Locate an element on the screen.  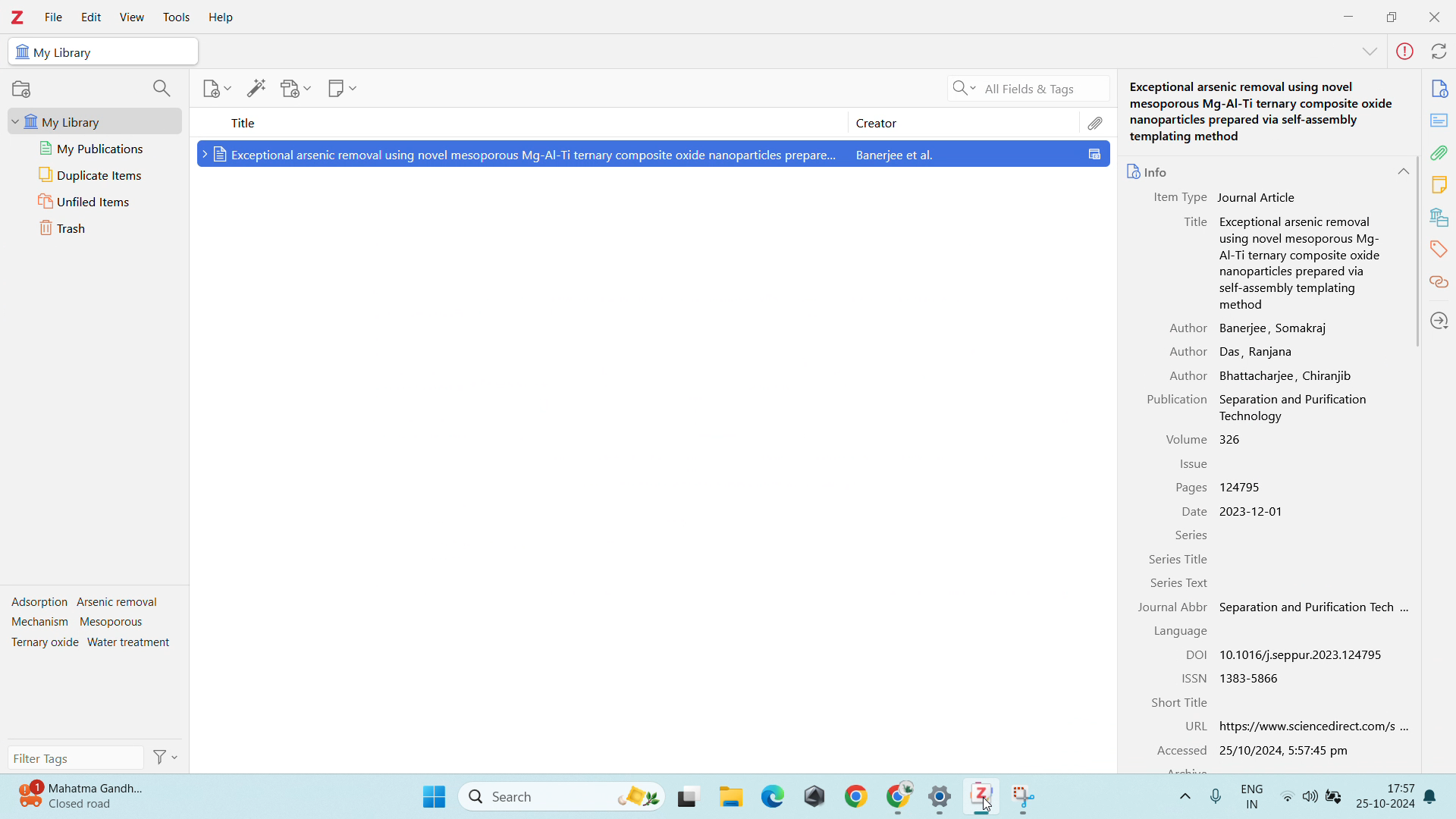
imported reference is located at coordinates (653, 153).